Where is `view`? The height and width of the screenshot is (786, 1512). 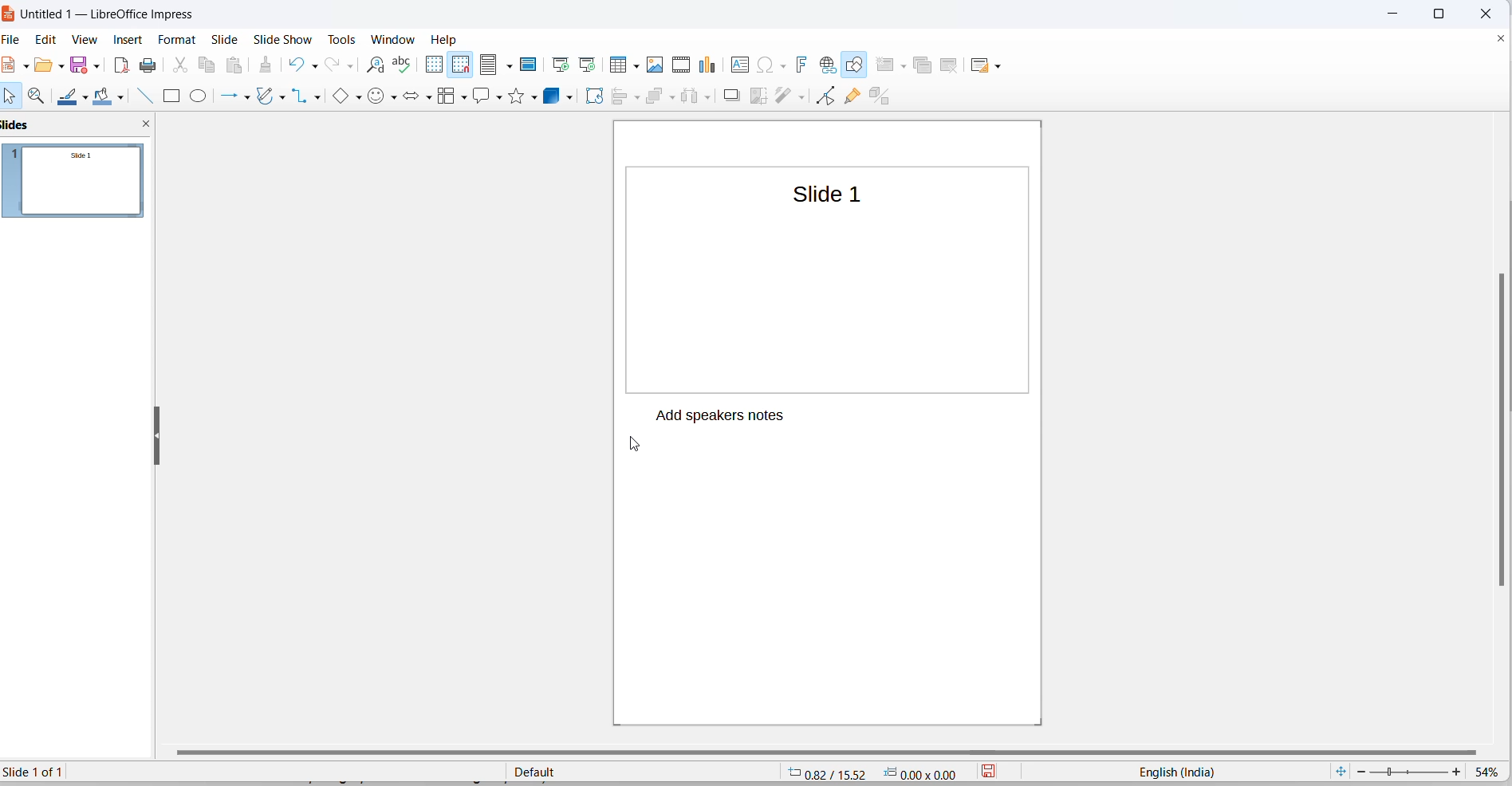
view is located at coordinates (86, 41).